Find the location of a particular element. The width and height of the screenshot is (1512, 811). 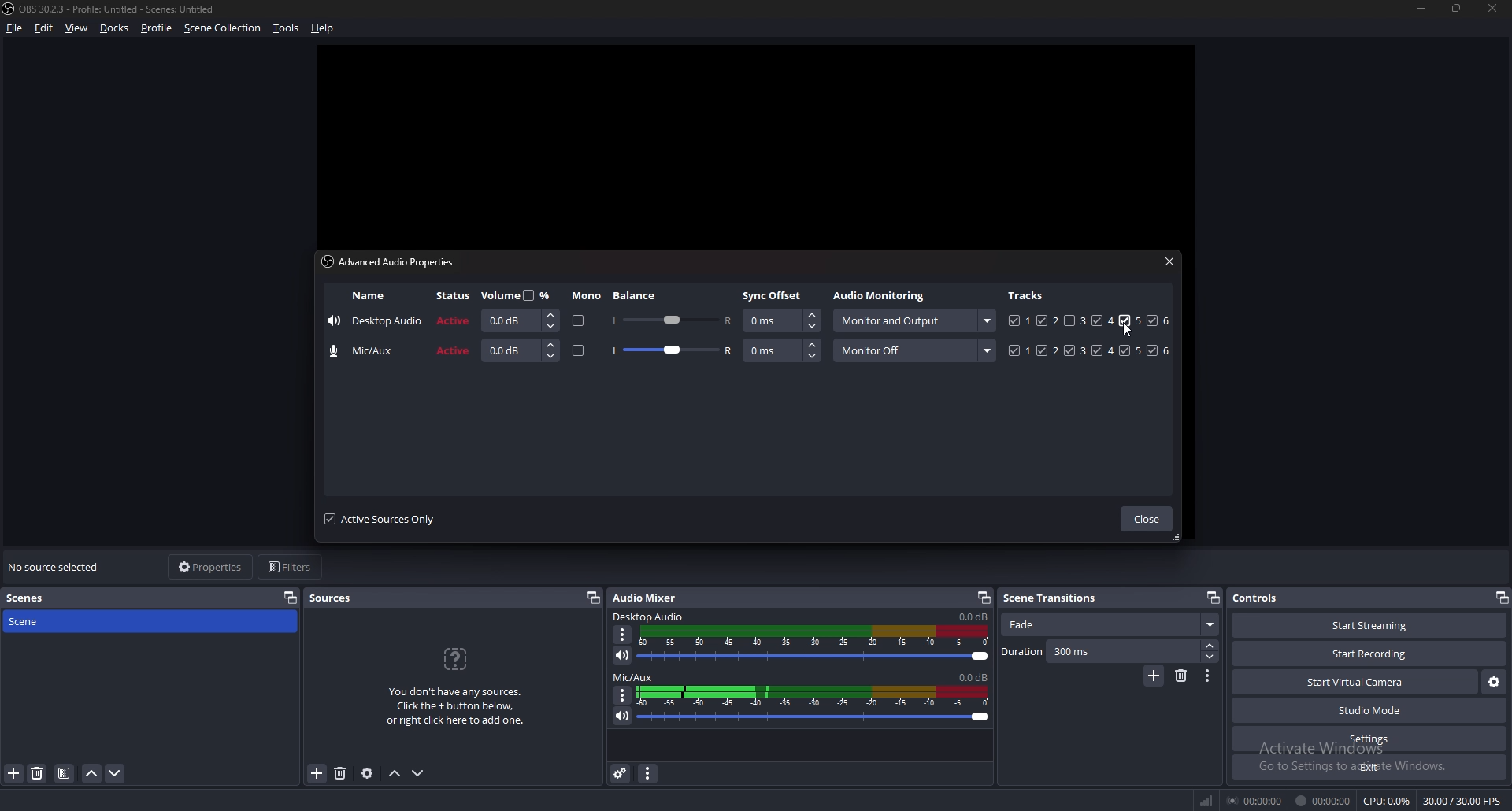

move sources up is located at coordinates (395, 773).